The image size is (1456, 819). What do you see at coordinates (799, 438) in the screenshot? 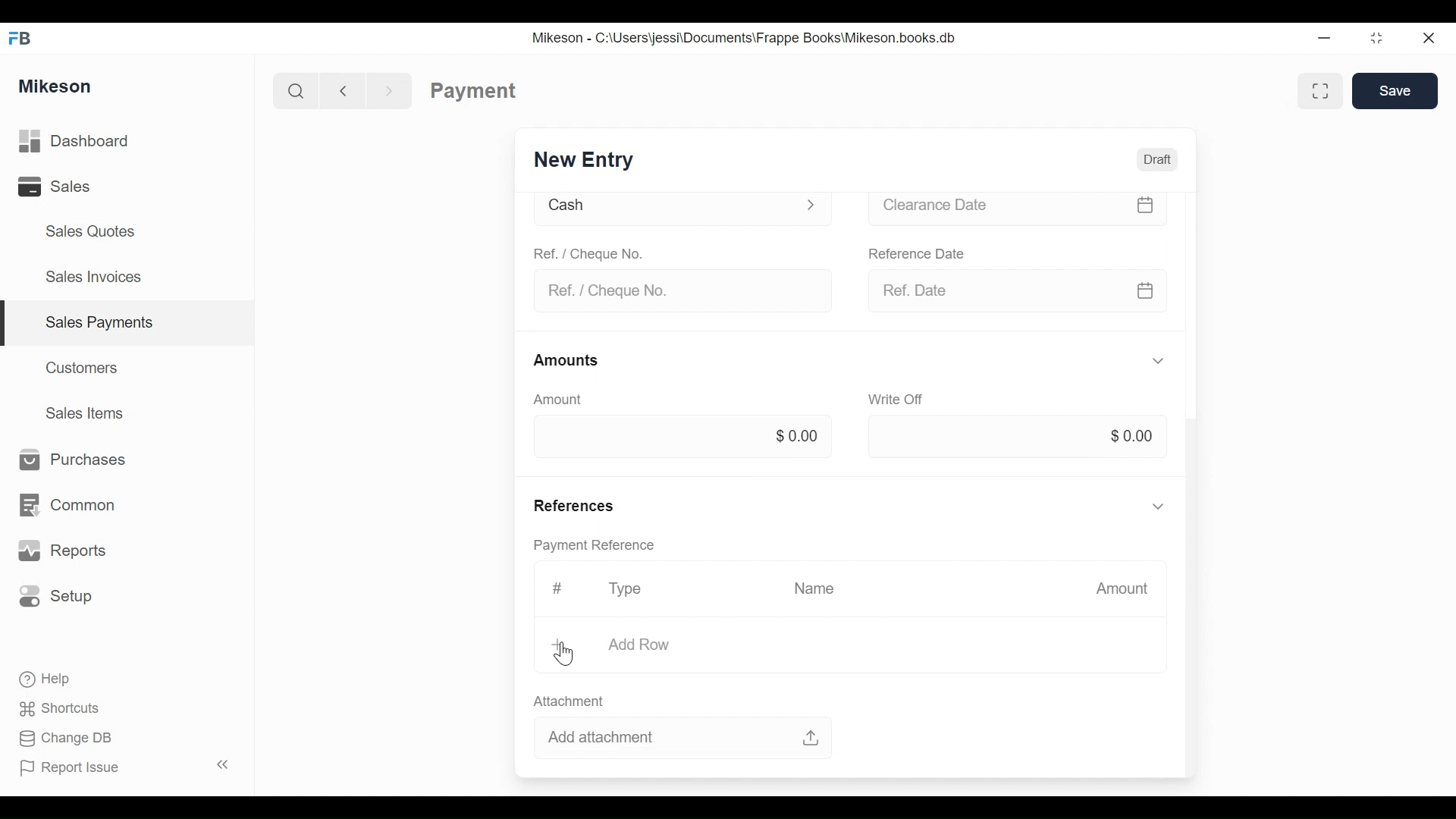
I see `$0.00` at bounding box center [799, 438].